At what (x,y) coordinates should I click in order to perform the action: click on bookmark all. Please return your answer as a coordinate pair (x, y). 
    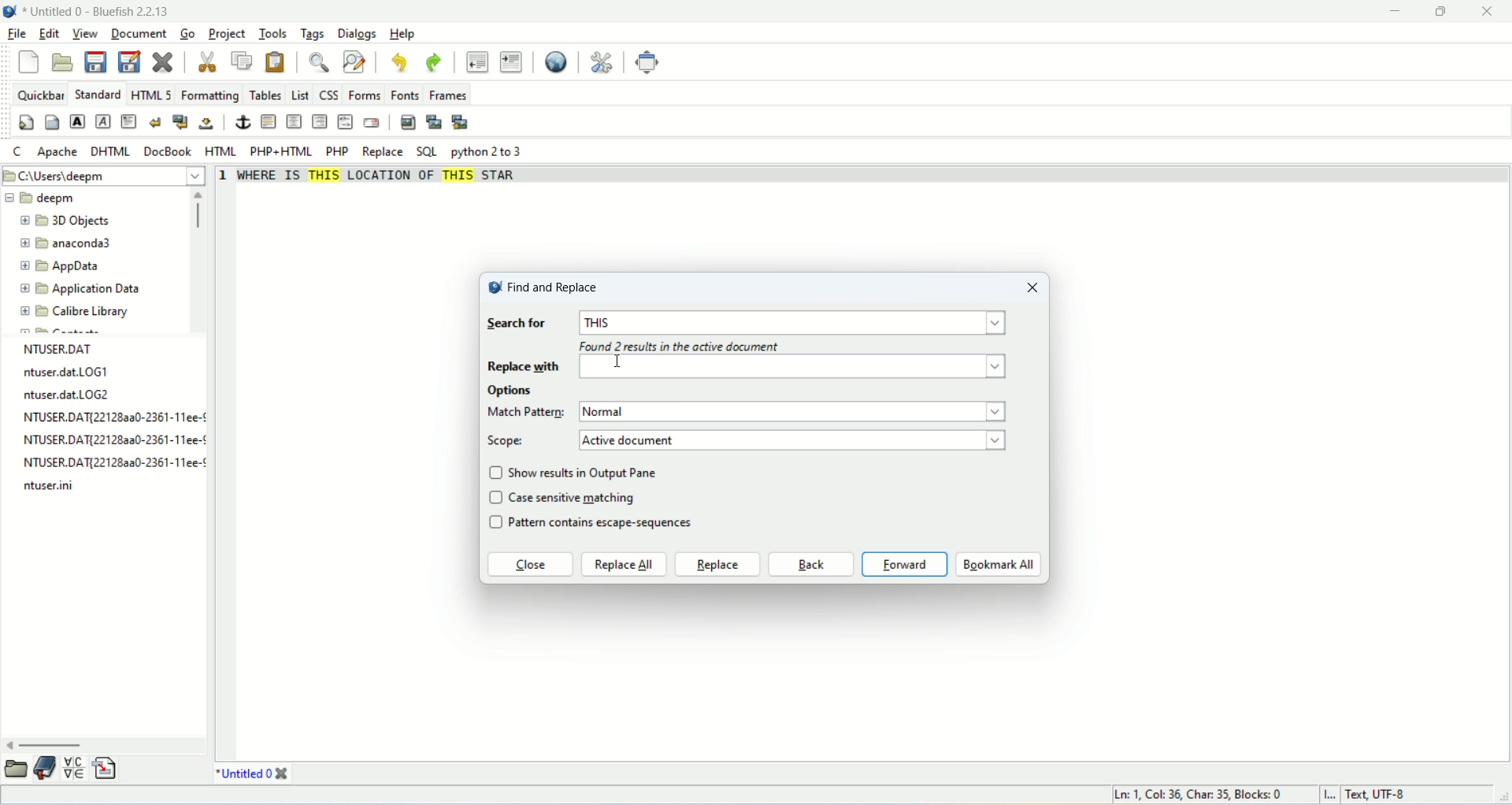
    Looking at the image, I should click on (999, 565).